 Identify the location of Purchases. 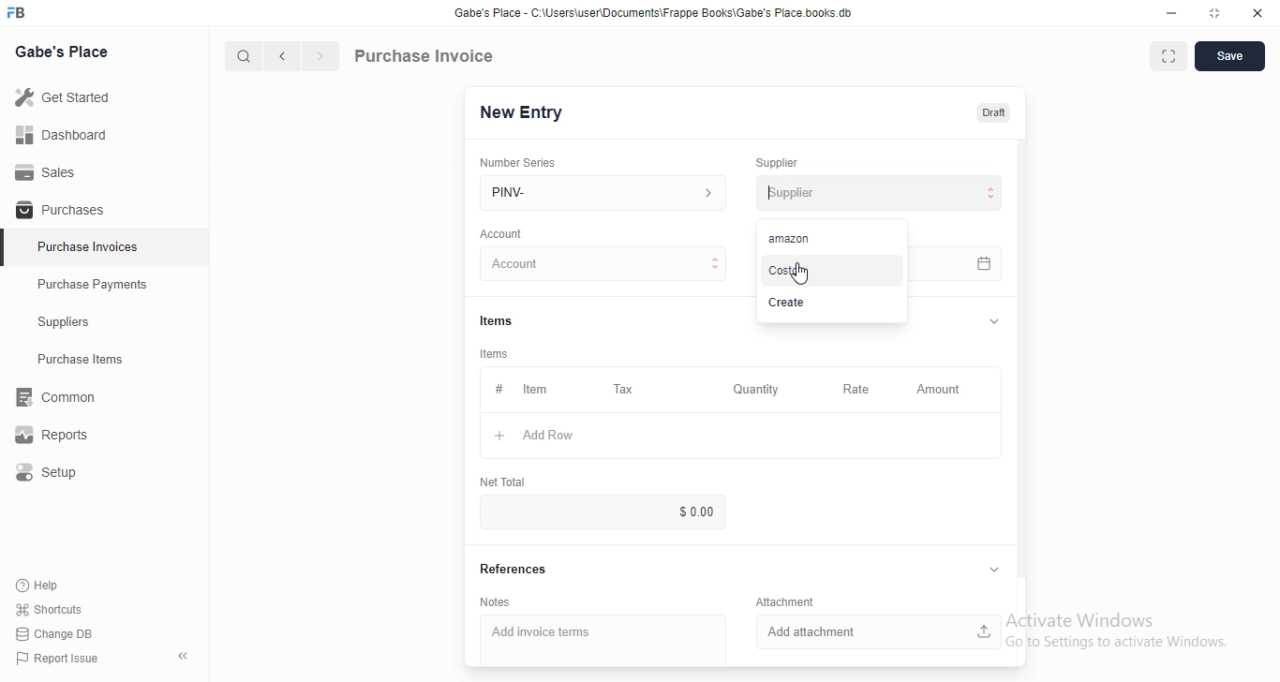
(104, 208).